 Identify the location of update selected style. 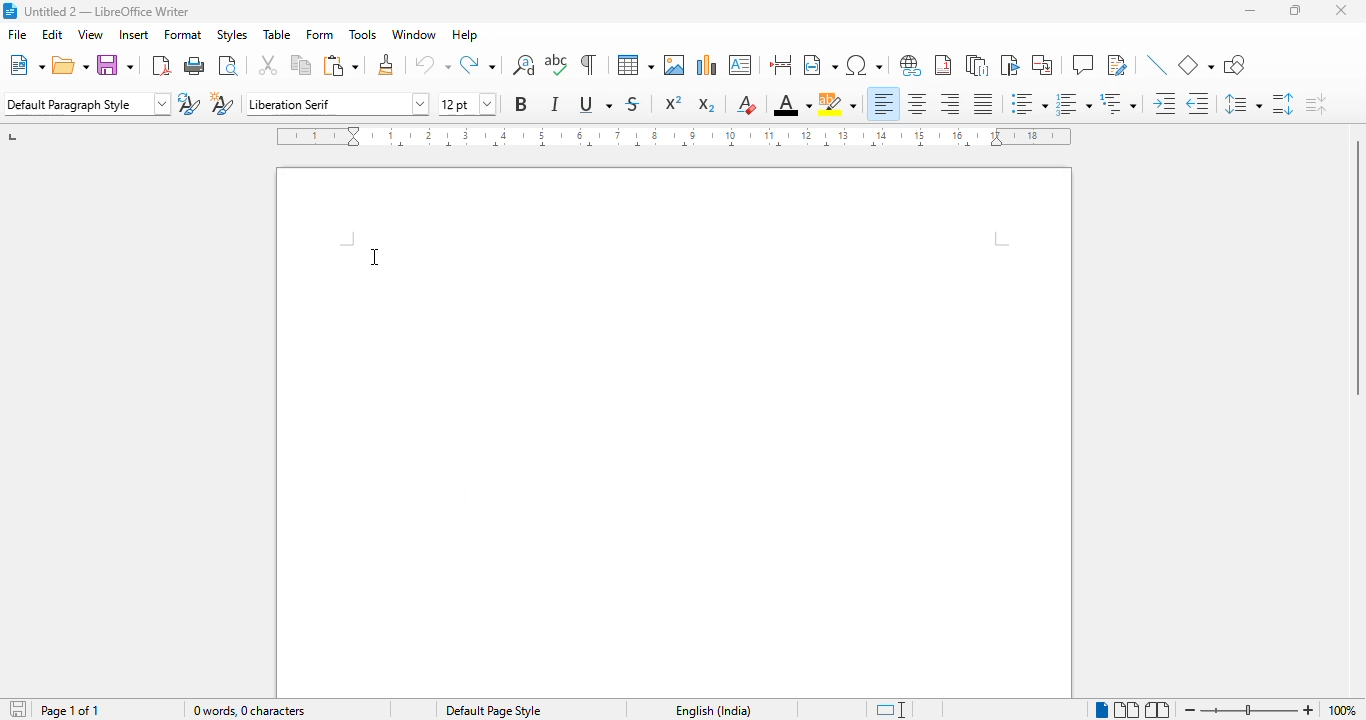
(189, 103).